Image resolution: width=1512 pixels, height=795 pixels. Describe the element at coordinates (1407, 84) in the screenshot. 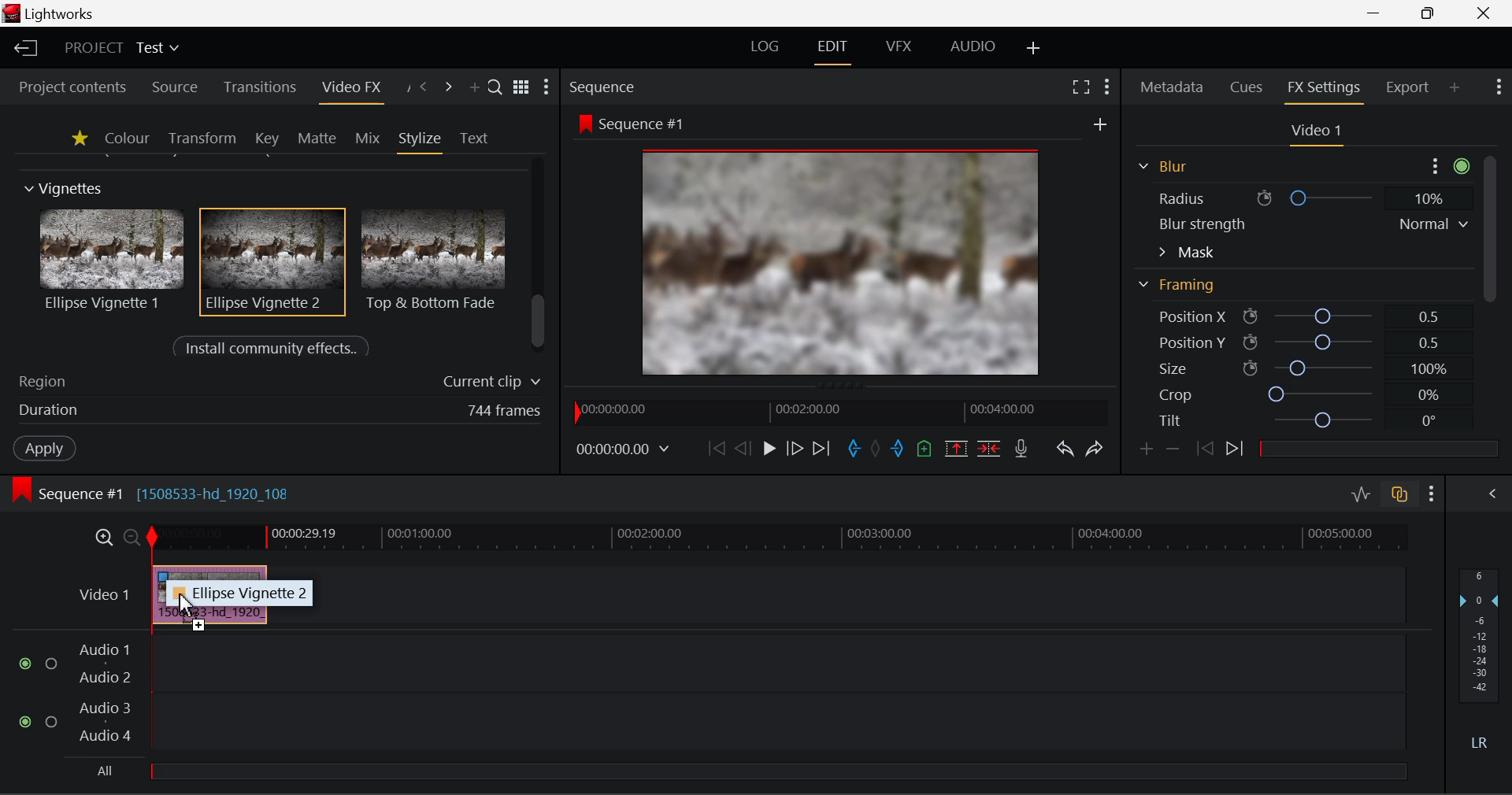

I see `Export` at that location.